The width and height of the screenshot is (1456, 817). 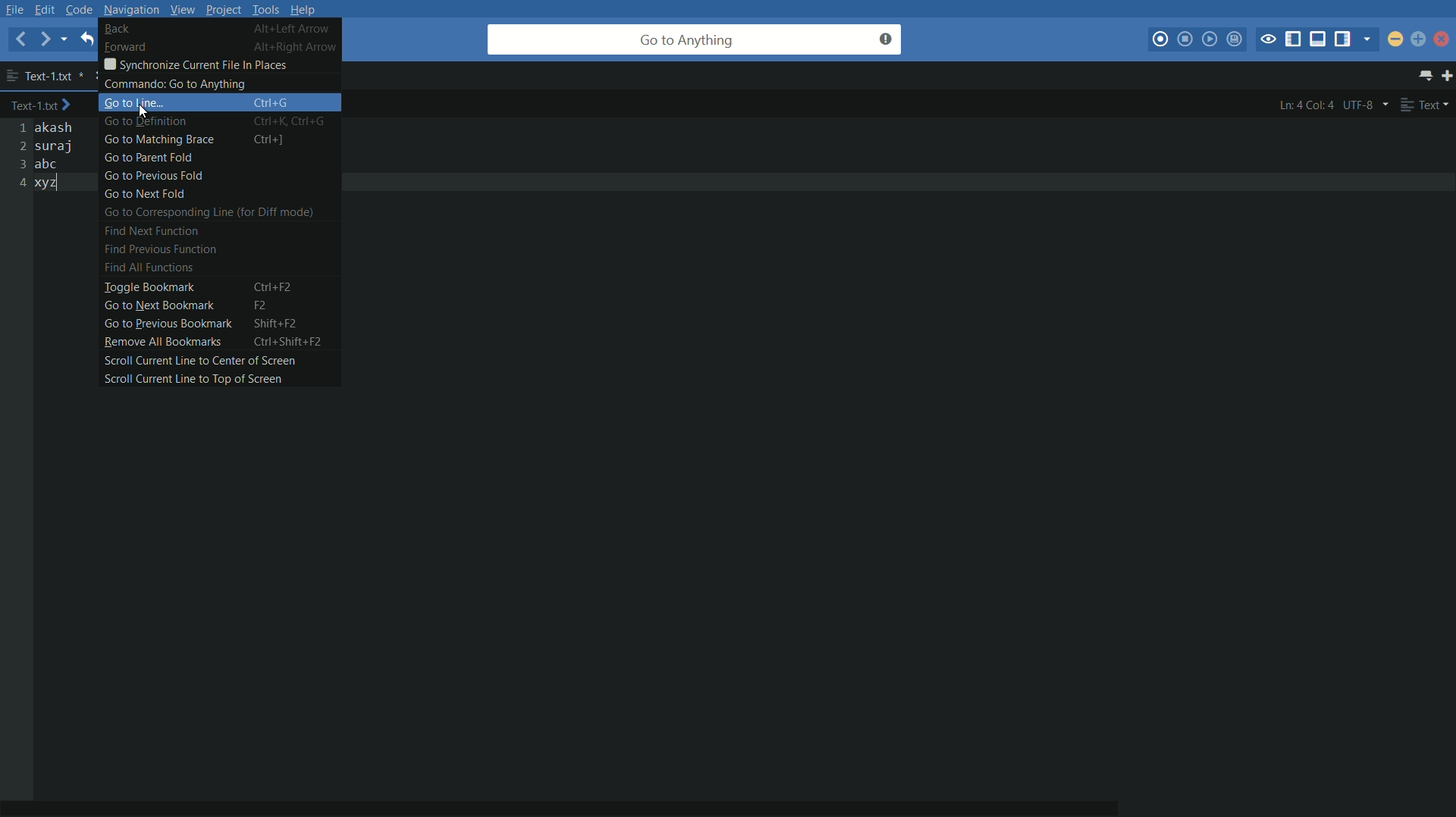 I want to click on go to line, so click(x=131, y=103).